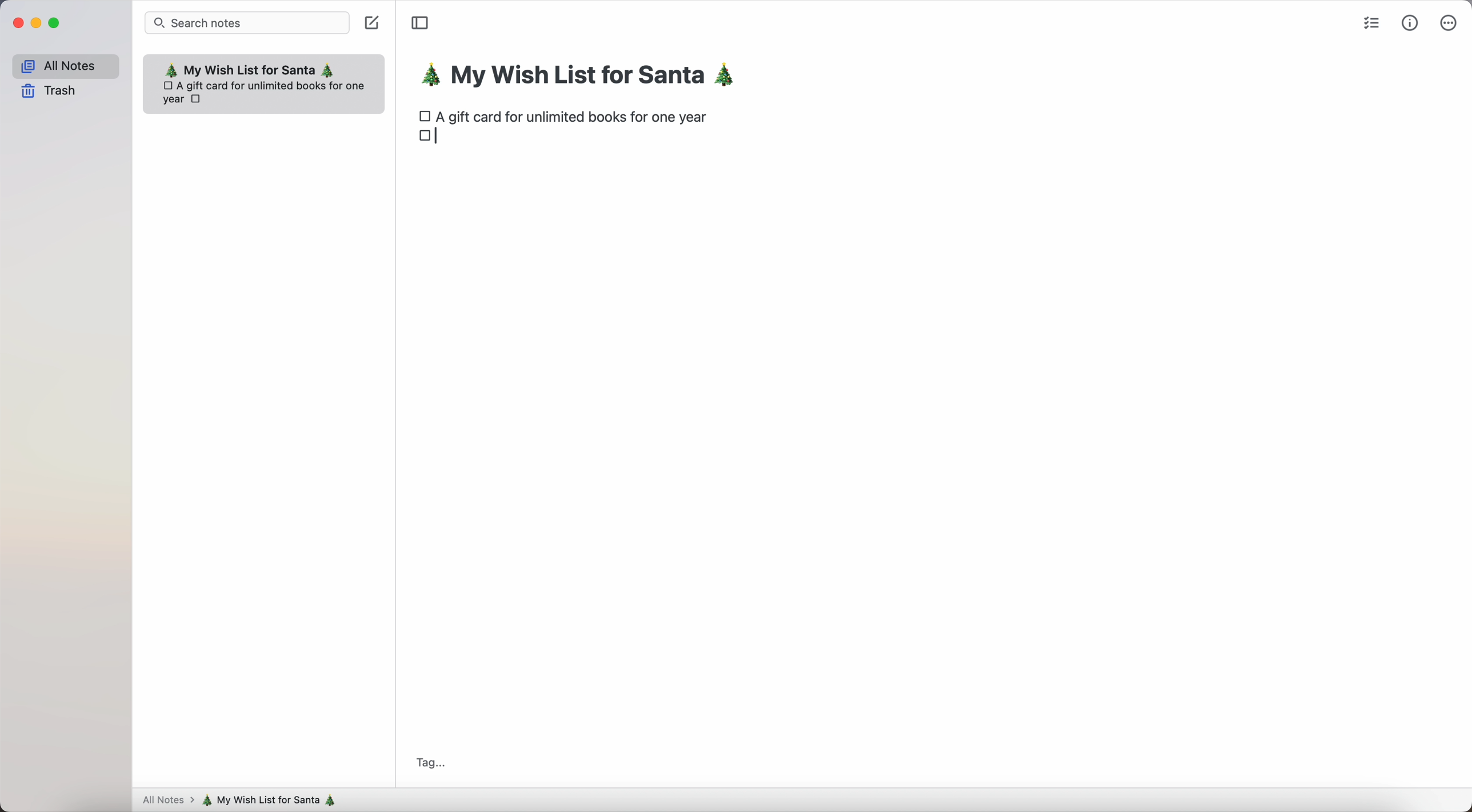 The image size is (1472, 812). Describe the element at coordinates (426, 139) in the screenshot. I see `checkbox` at that location.